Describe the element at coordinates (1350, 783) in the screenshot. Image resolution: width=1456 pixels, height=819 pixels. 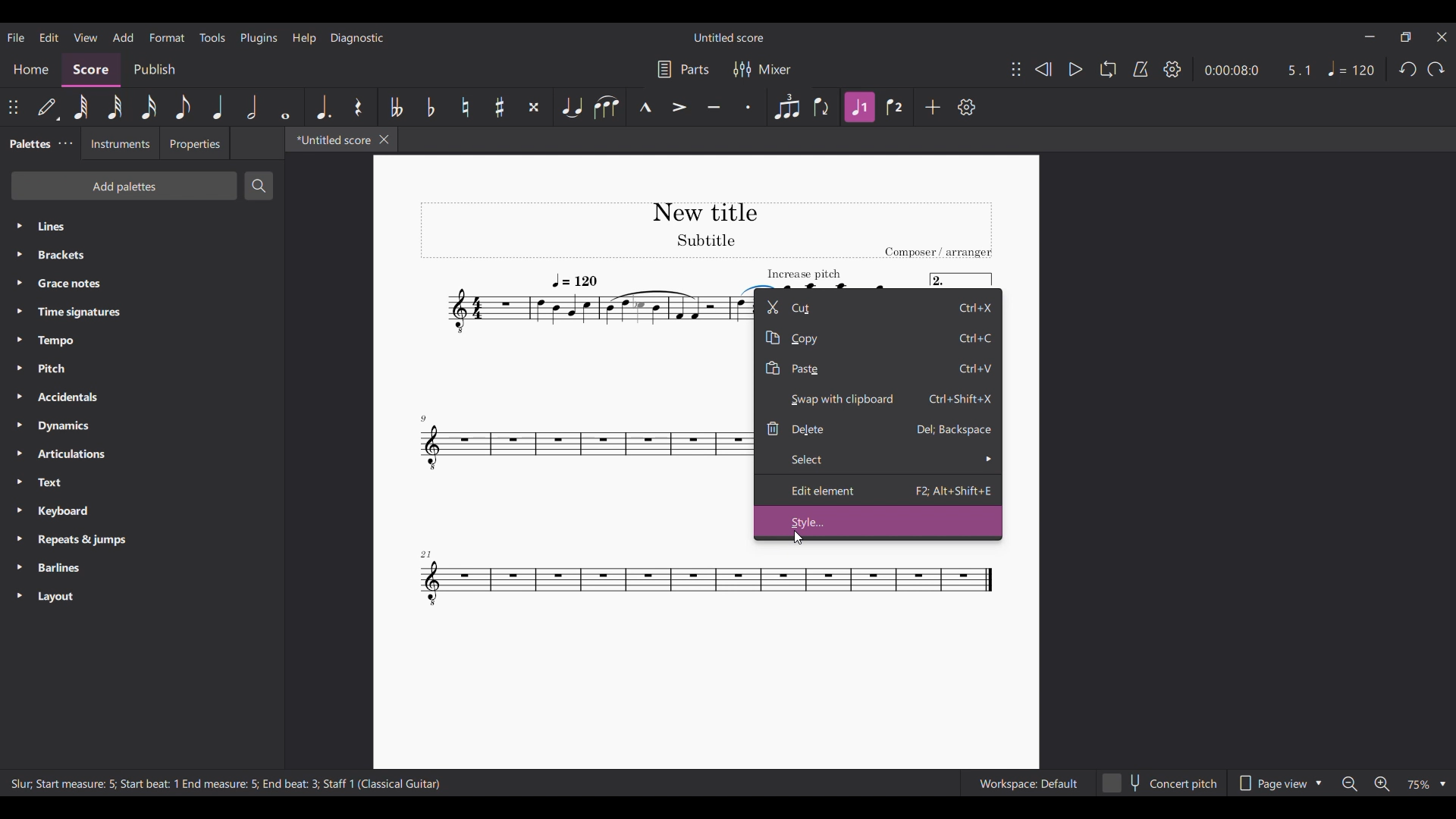
I see `Zoom out` at that location.